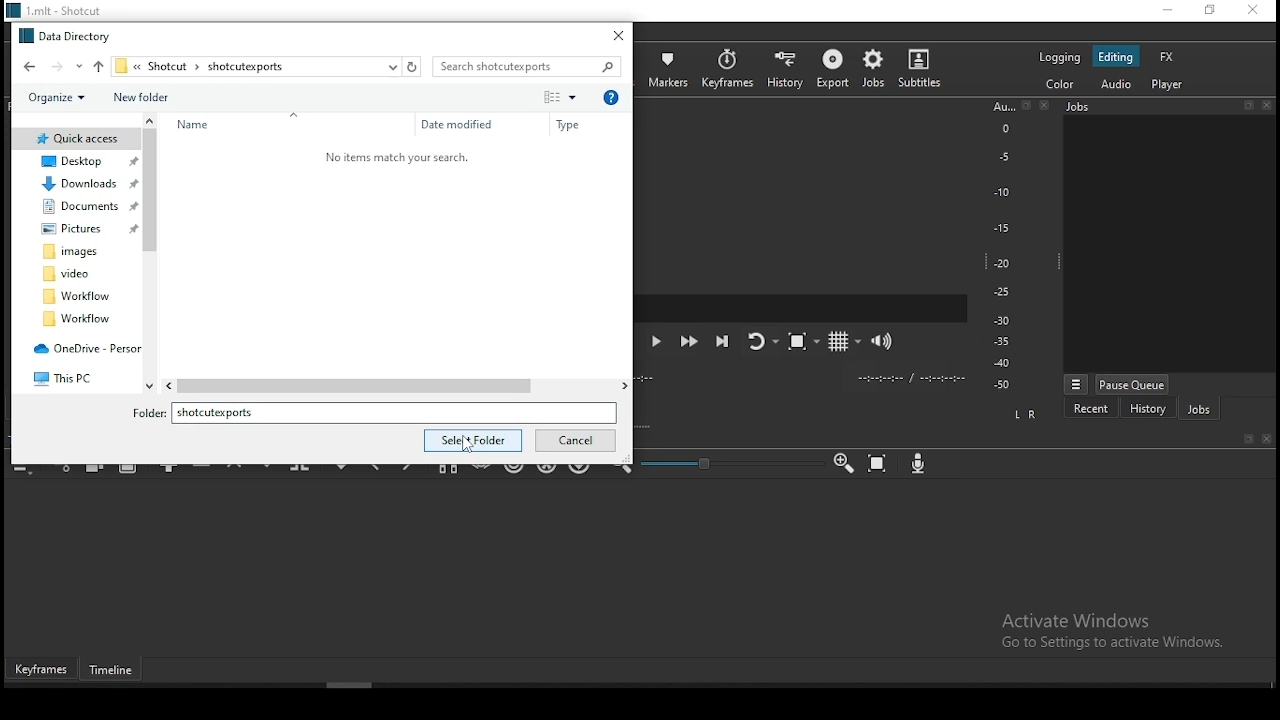  What do you see at coordinates (75, 252) in the screenshot?
I see `local folder` at bounding box center [75, 252].